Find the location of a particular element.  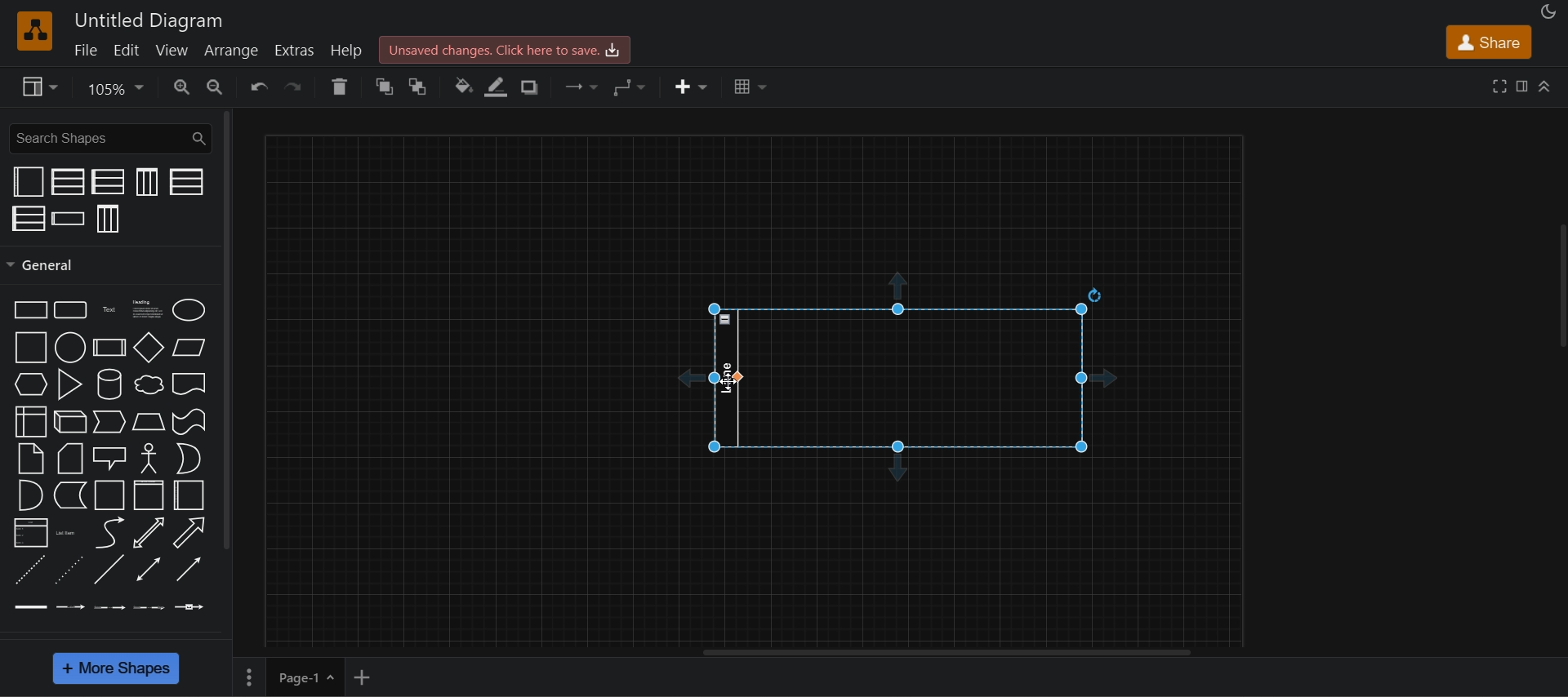

bidirectional arrow is located at coordinates (147, 533).